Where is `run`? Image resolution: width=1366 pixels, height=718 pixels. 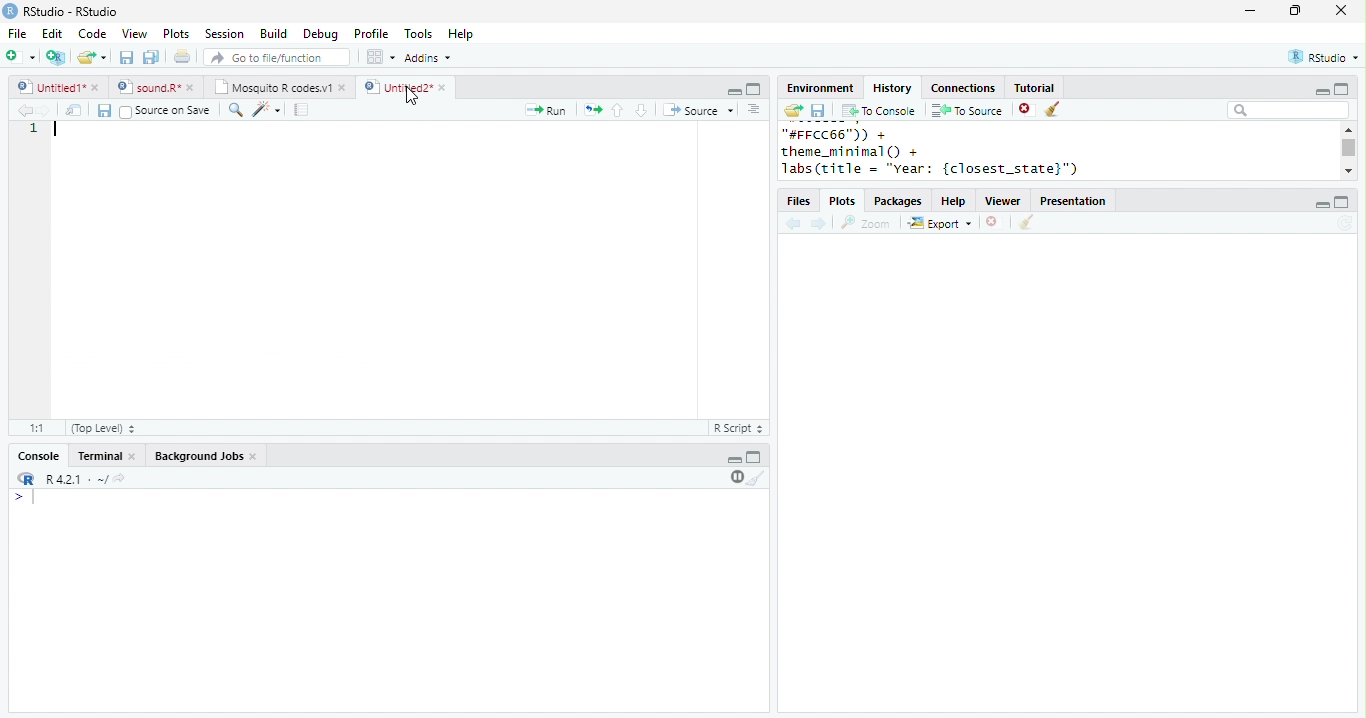 run is located at coordinates (545, 110).